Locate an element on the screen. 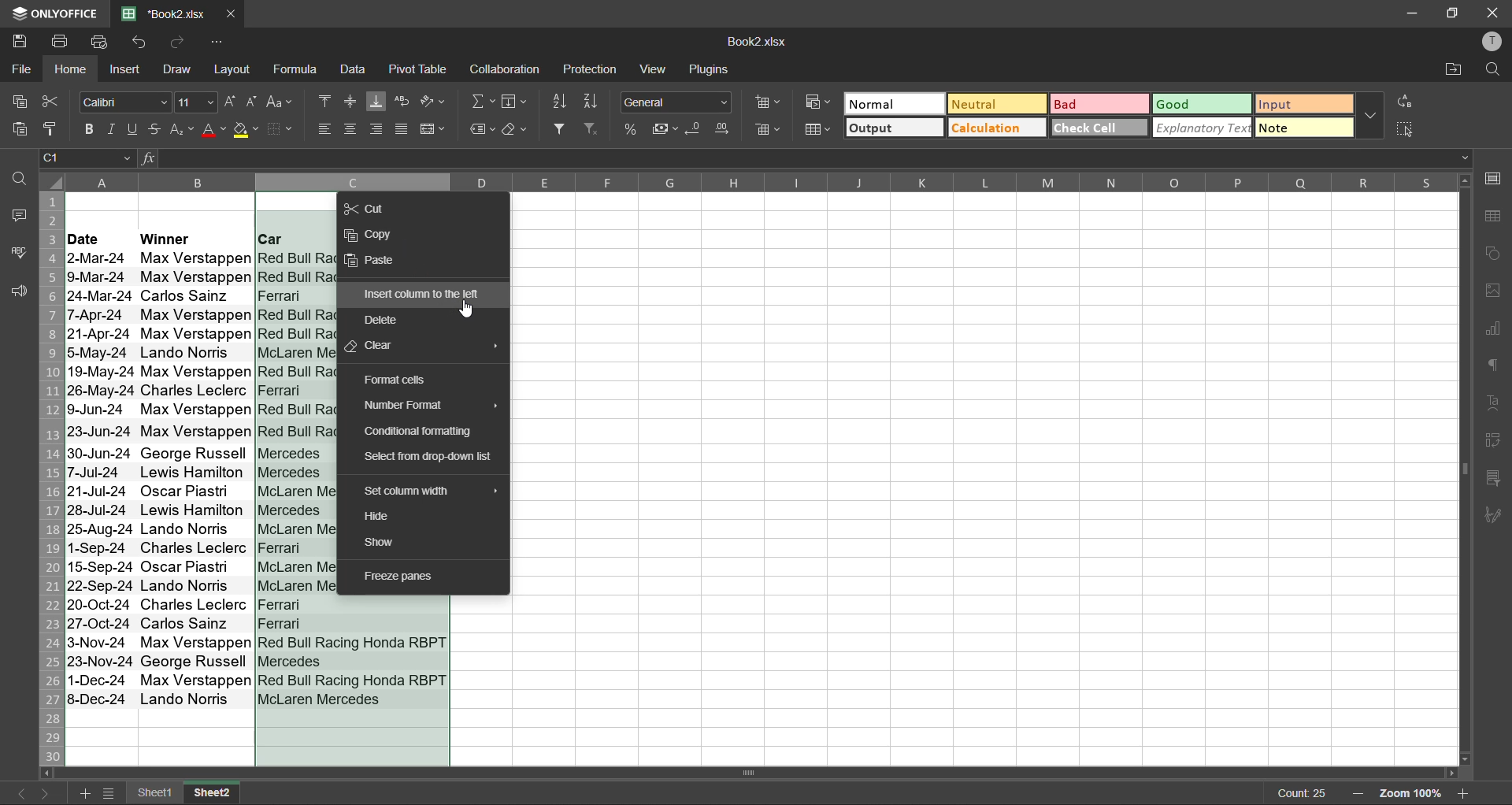  Max Verstappen
Max Verstappen
Carlos Sainz
Max Verstappen
Max Verstappen
Lando Norris
Max Verstappen
Charles Leclerc
Max Verstappen
Max Verstappen
George Russell
Lewis Hamilton
Oscar Piastri
Lewis Hamilton
Lando Norris
Charles Leclerc
Oscar Piastri
Lando Norris
Charles Leclerc
Carlos Sainz
Max Verstappen
George Russell
Max Verstappen
Lando Norris is located at coordinates (194, 479).